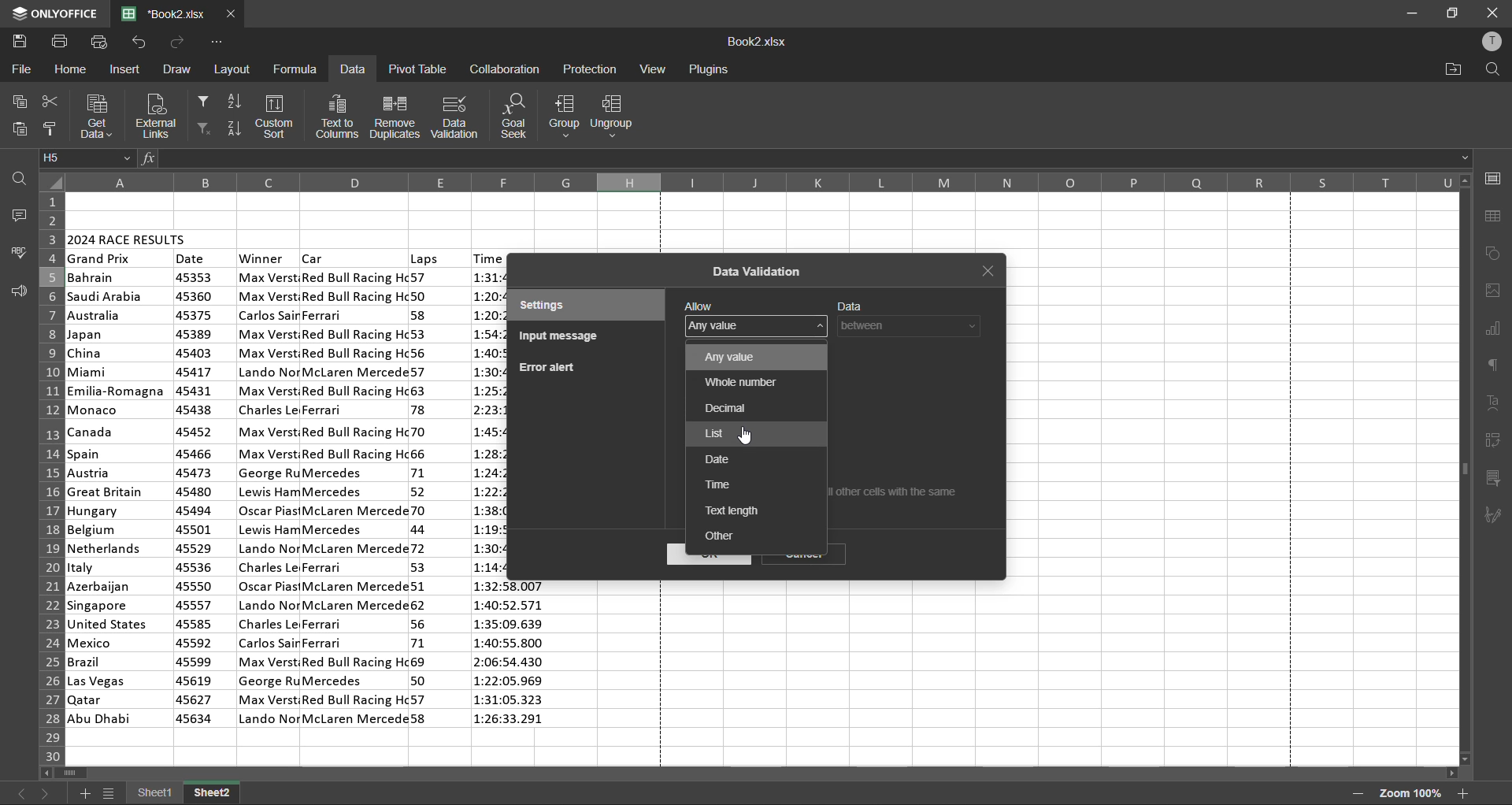 The height and width of the screenshot is (805, 1512). What do you see at coordinates (315, 257) in the screenshot?
I see `car` at bounding box center [315, 257].